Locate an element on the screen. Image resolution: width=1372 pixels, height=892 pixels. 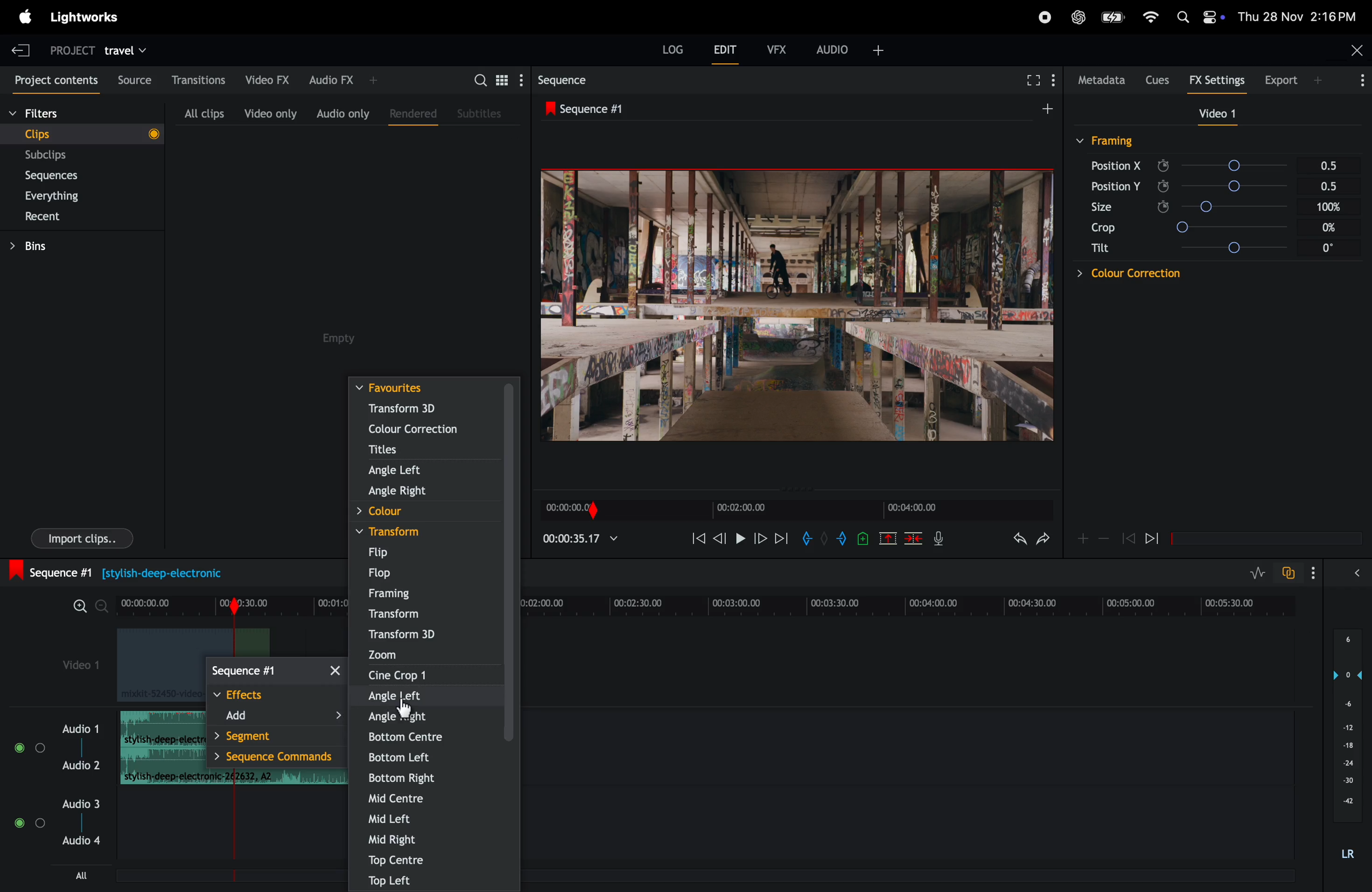
audio 3 and 4 is located at coordinates (65, 825).